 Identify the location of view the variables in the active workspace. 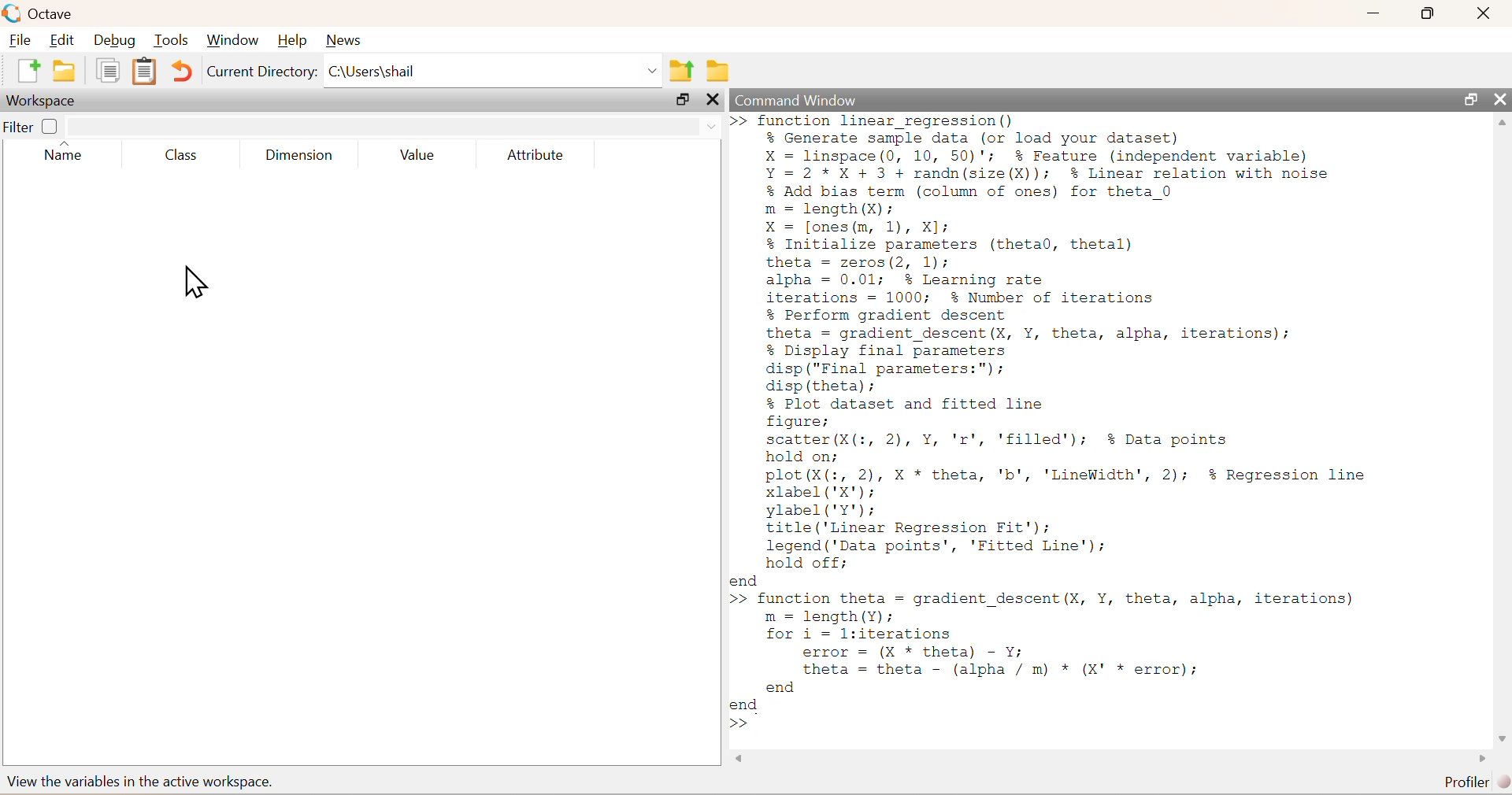
(142, 782).